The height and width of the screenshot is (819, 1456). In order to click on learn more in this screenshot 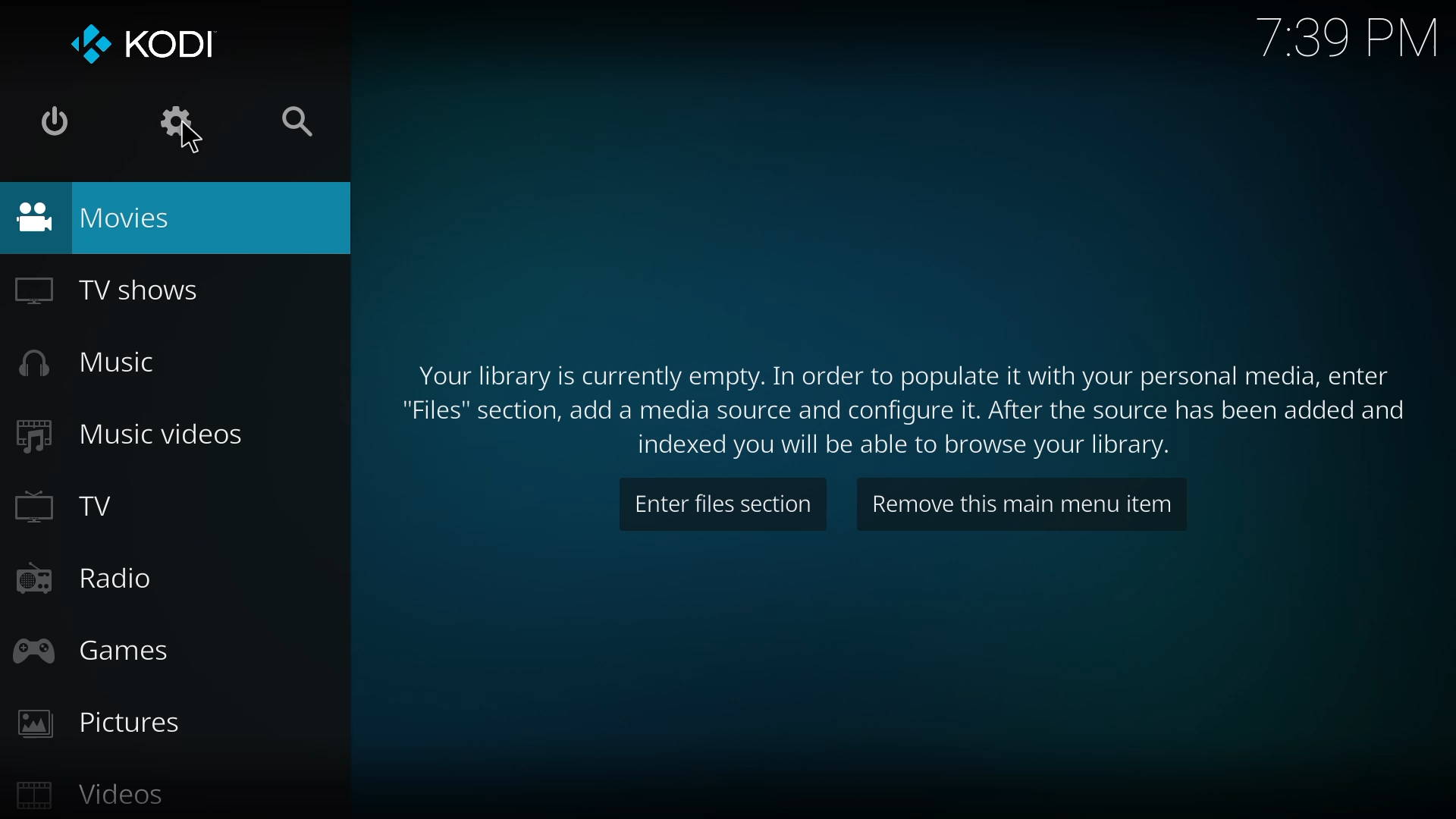, I will do `click(904, 409)`.